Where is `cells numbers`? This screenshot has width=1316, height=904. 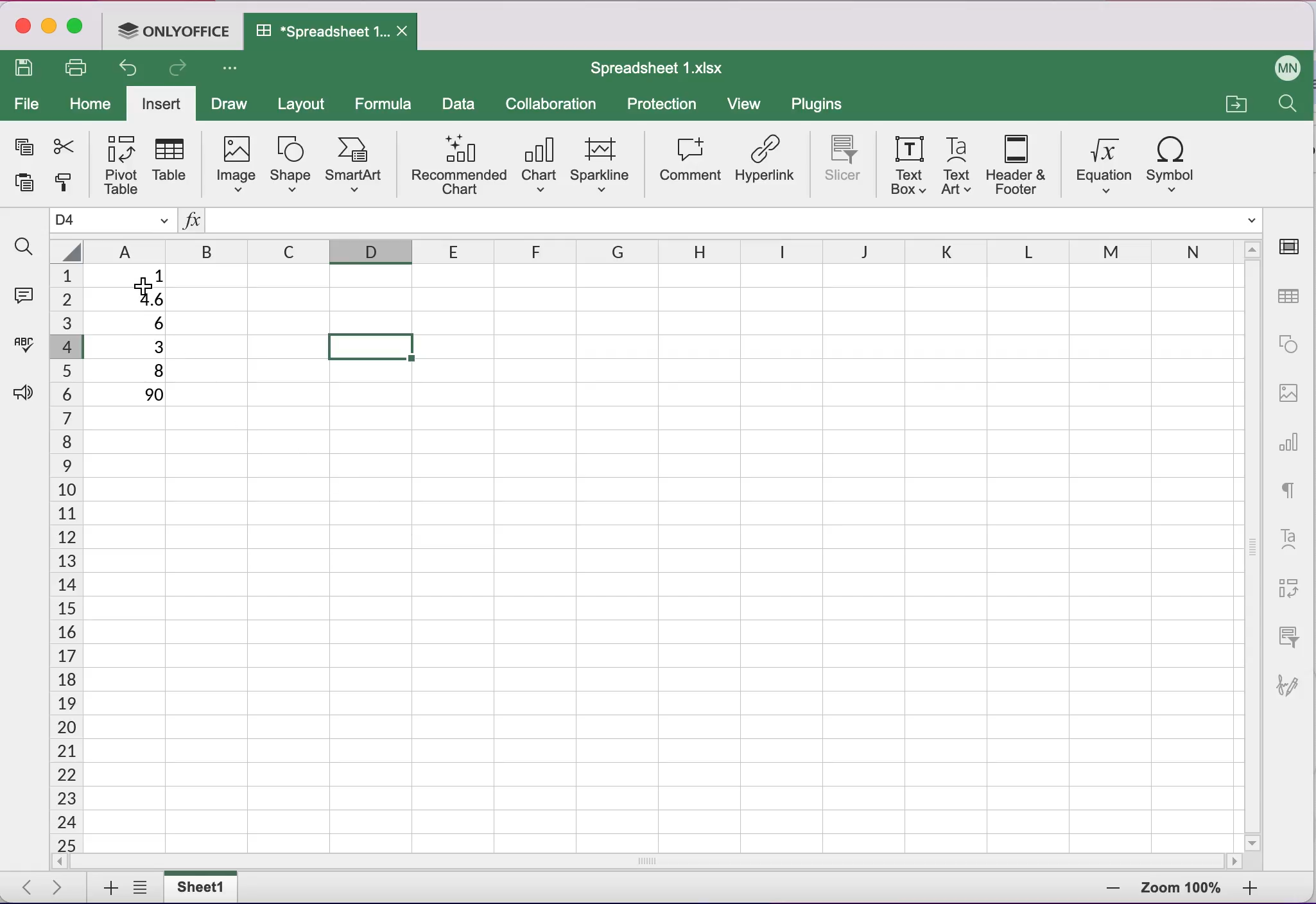 cells numbers is located at coordinates (62, 558).